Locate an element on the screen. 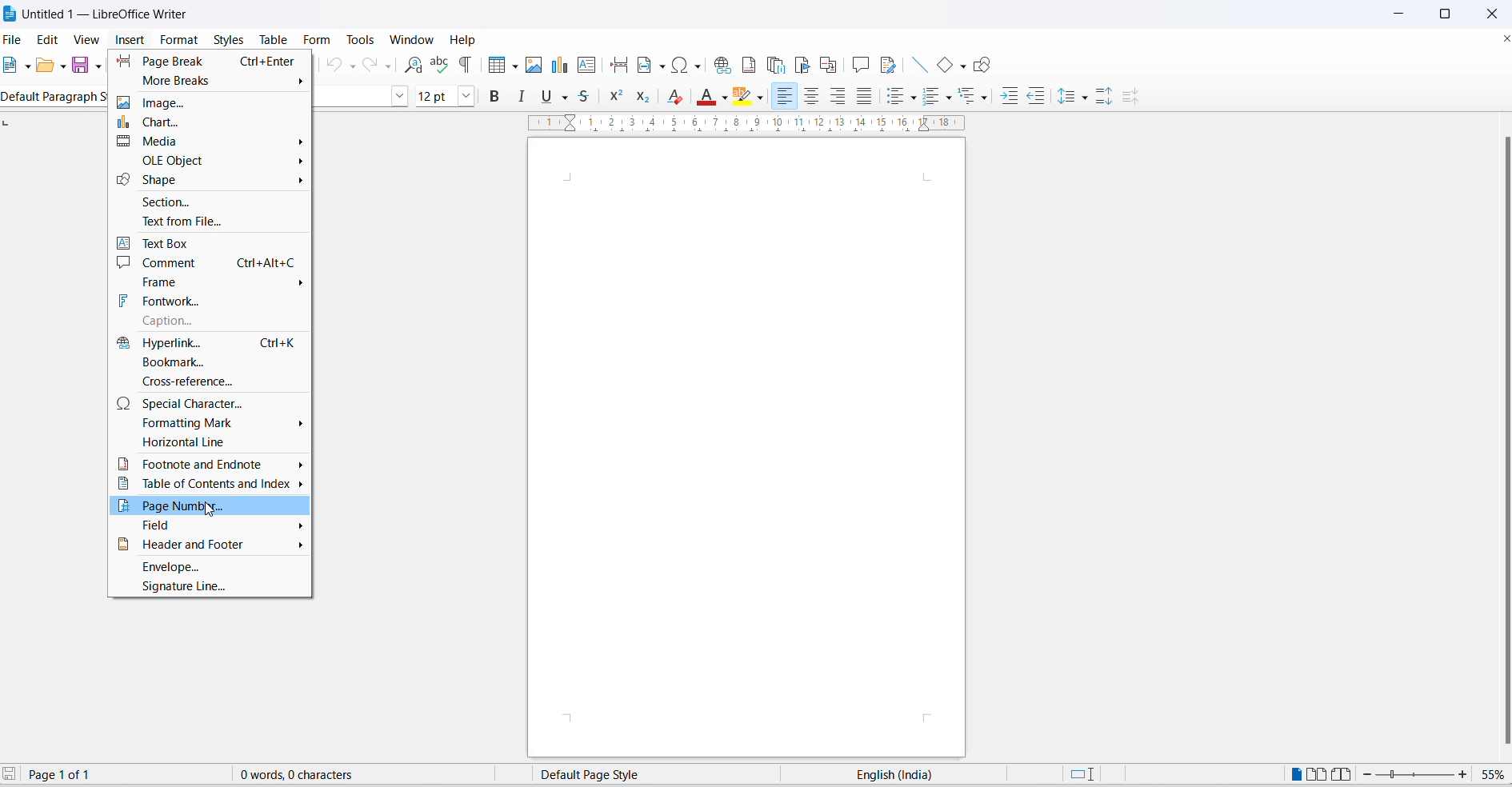  toggle unordered list is located at coordinates (914, 98).